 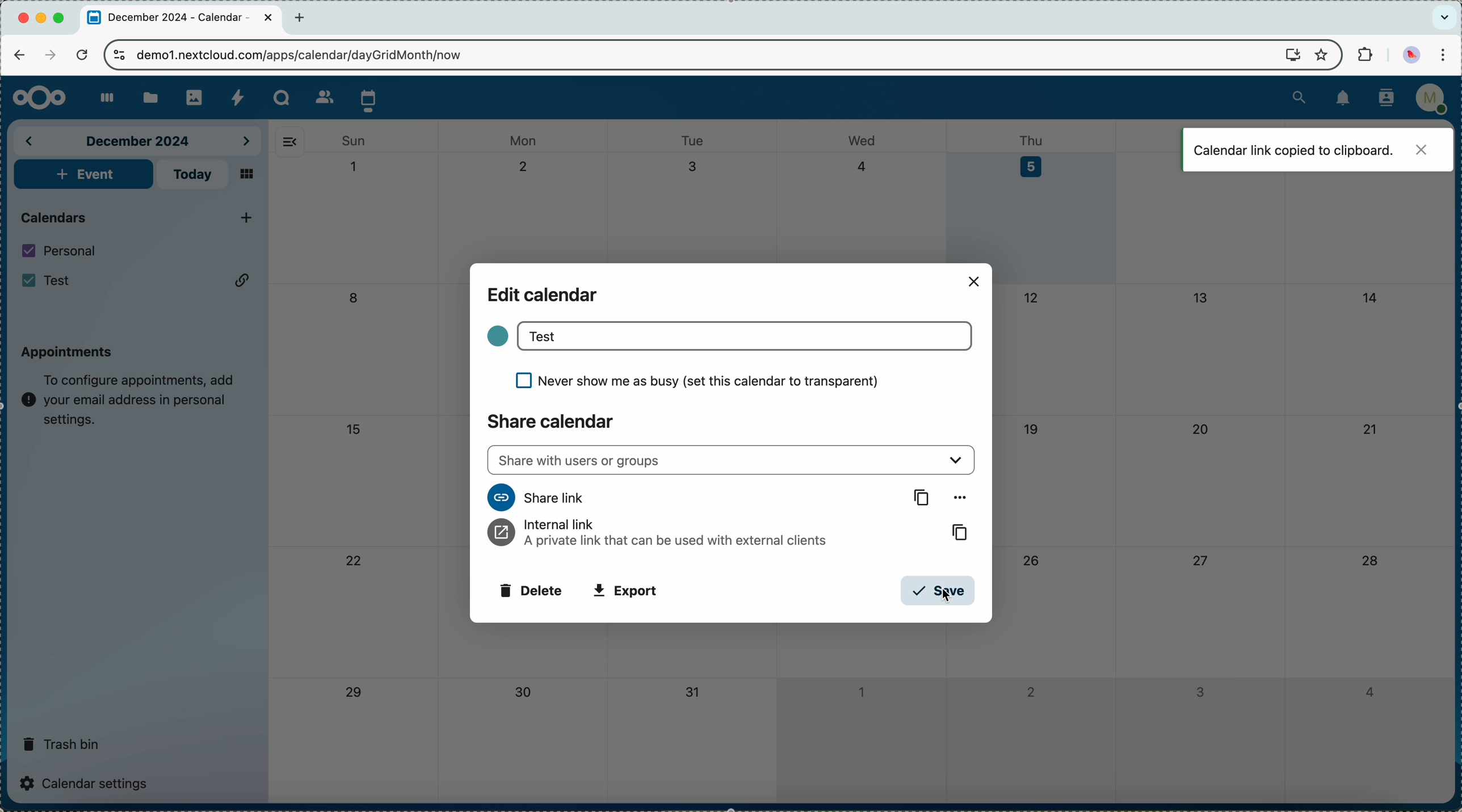 What do you see at coordinates (1032, 428) in the screenshot?
I see `19` at bounding box center [1032, 428].